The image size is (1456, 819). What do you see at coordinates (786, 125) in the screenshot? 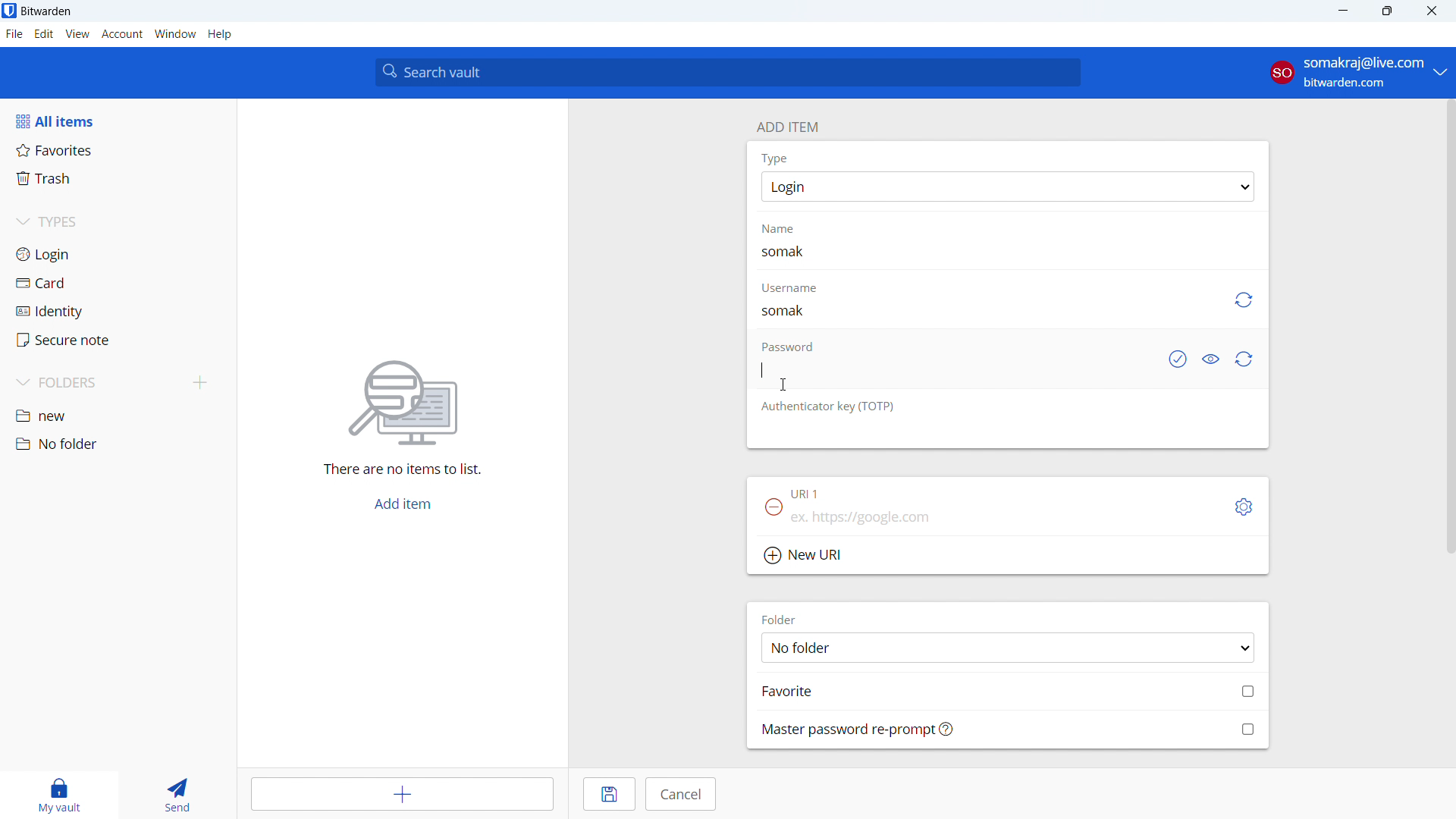
I see `add item` at bounding box center [786, 125].